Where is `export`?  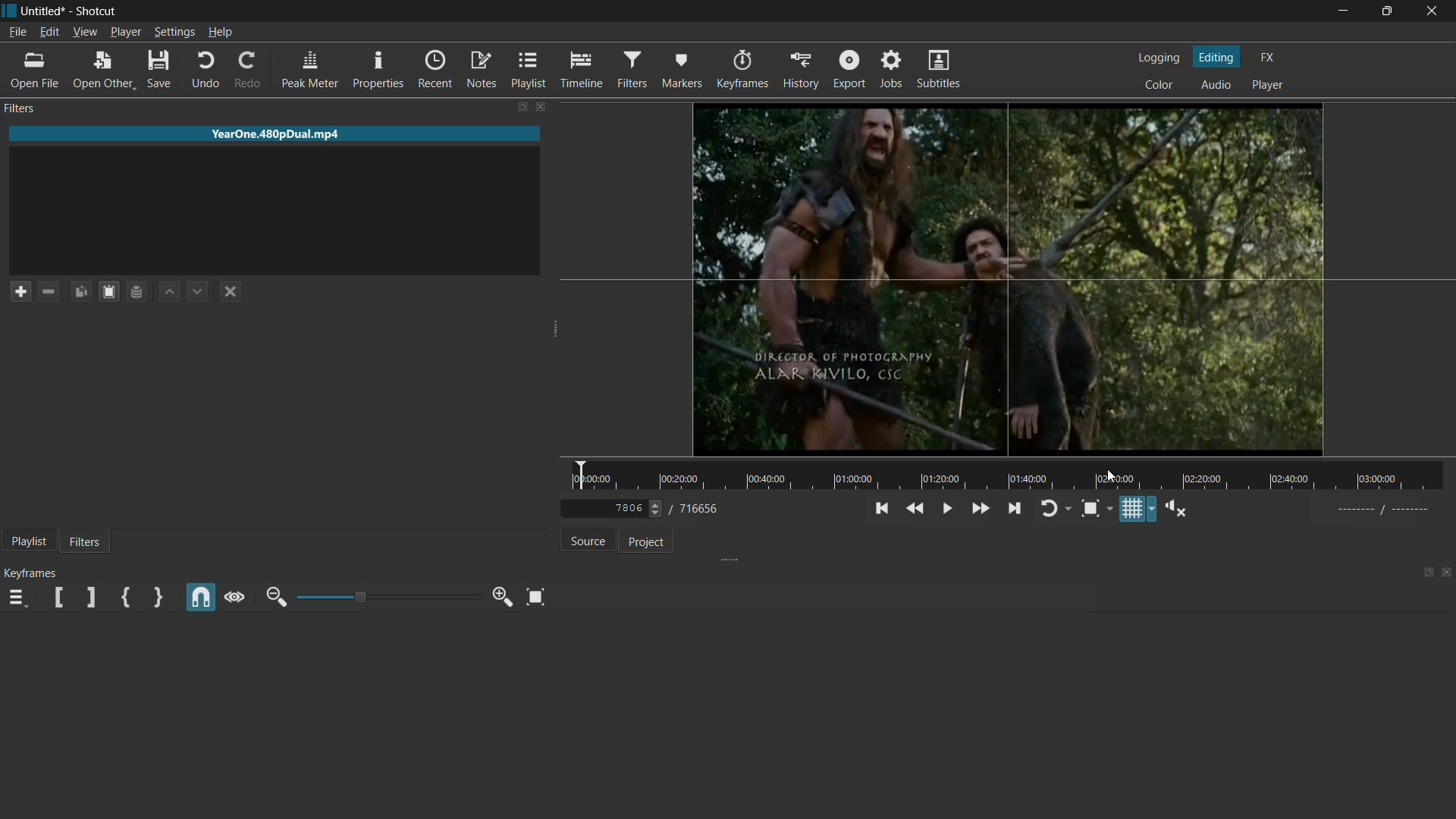 export is located at coordinates (849, 70).